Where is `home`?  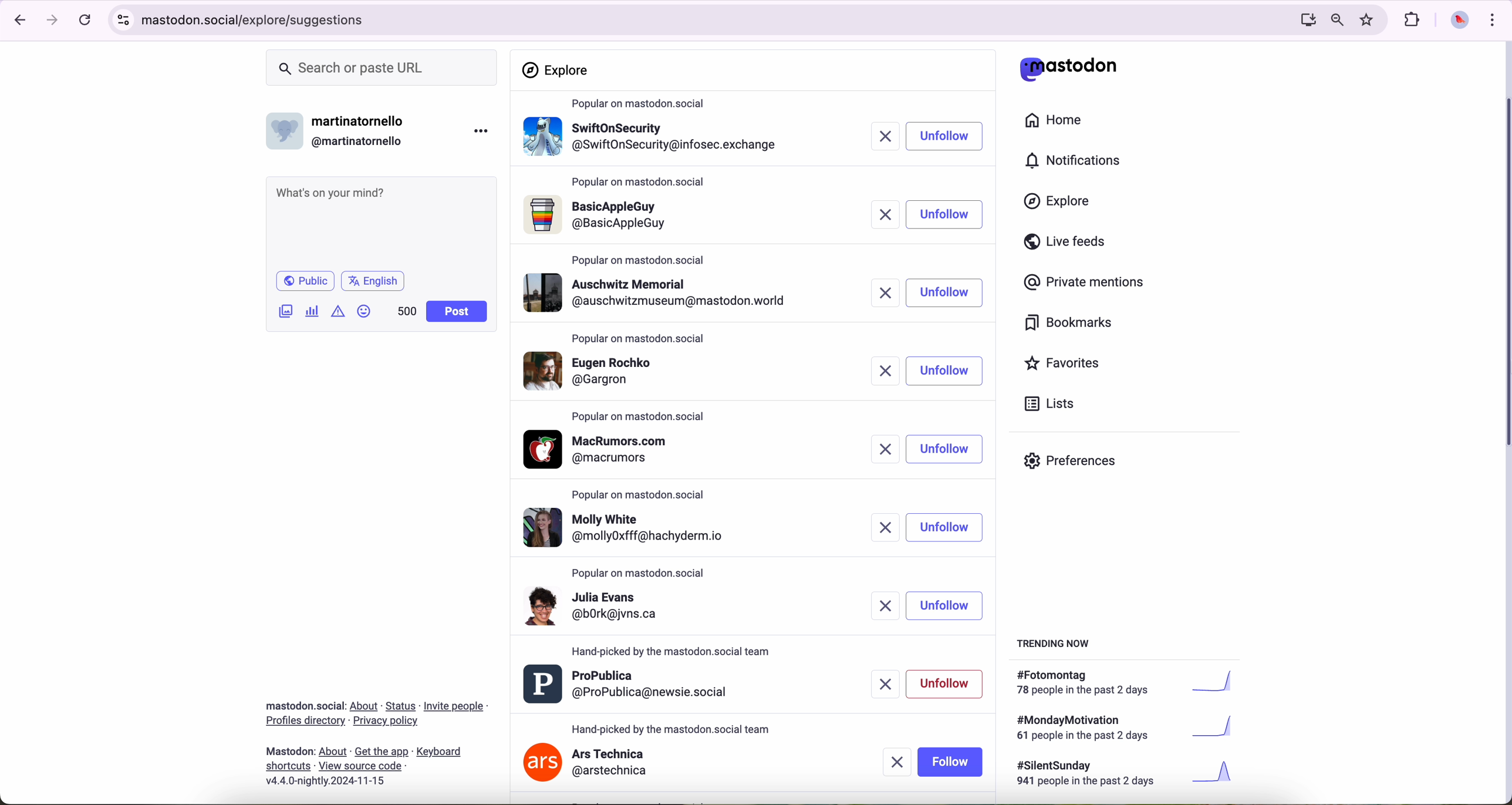 home is located at coordinates (1060, 123).